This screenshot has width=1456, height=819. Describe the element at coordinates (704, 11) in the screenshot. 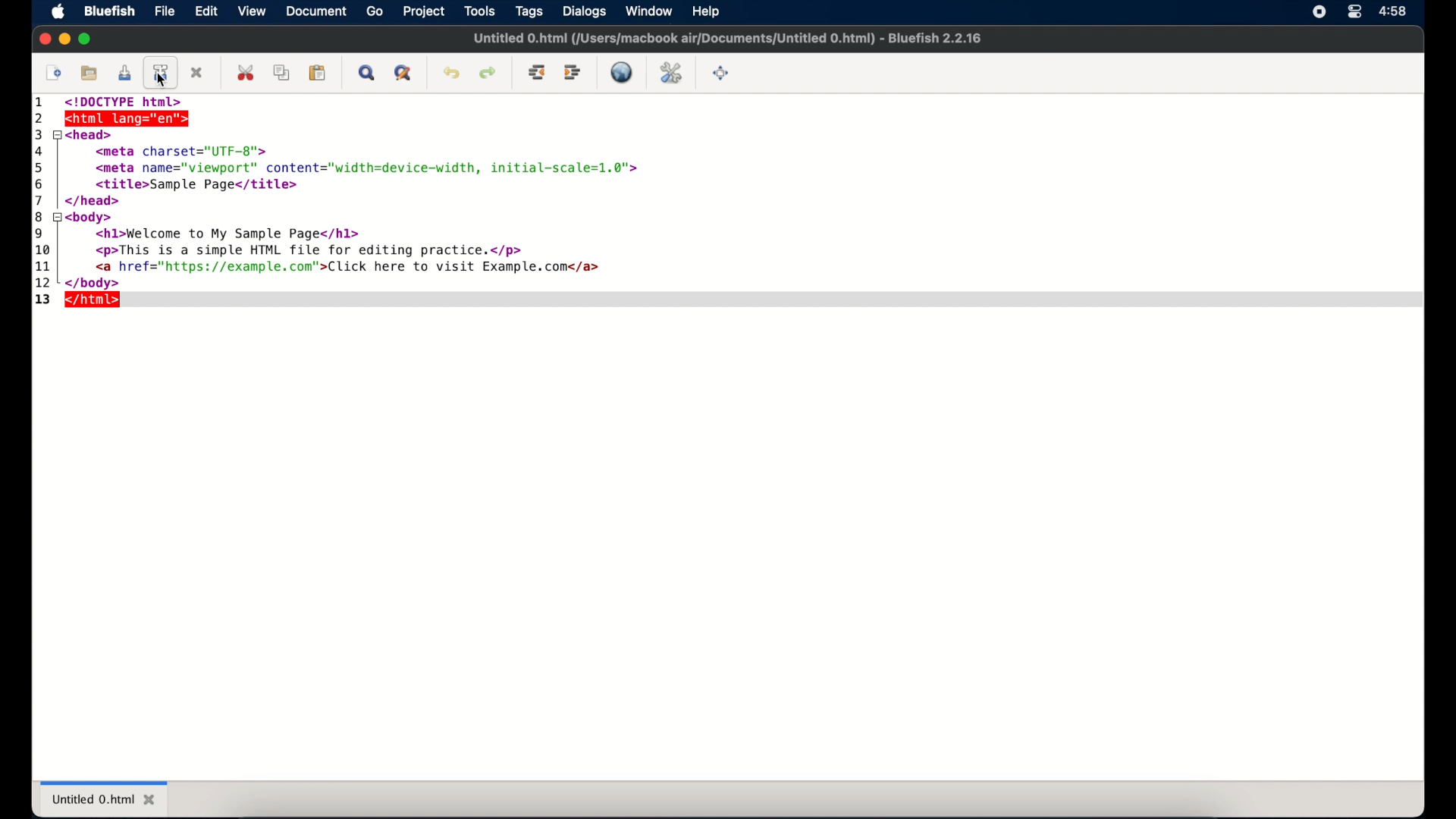

I see `help` at that location.